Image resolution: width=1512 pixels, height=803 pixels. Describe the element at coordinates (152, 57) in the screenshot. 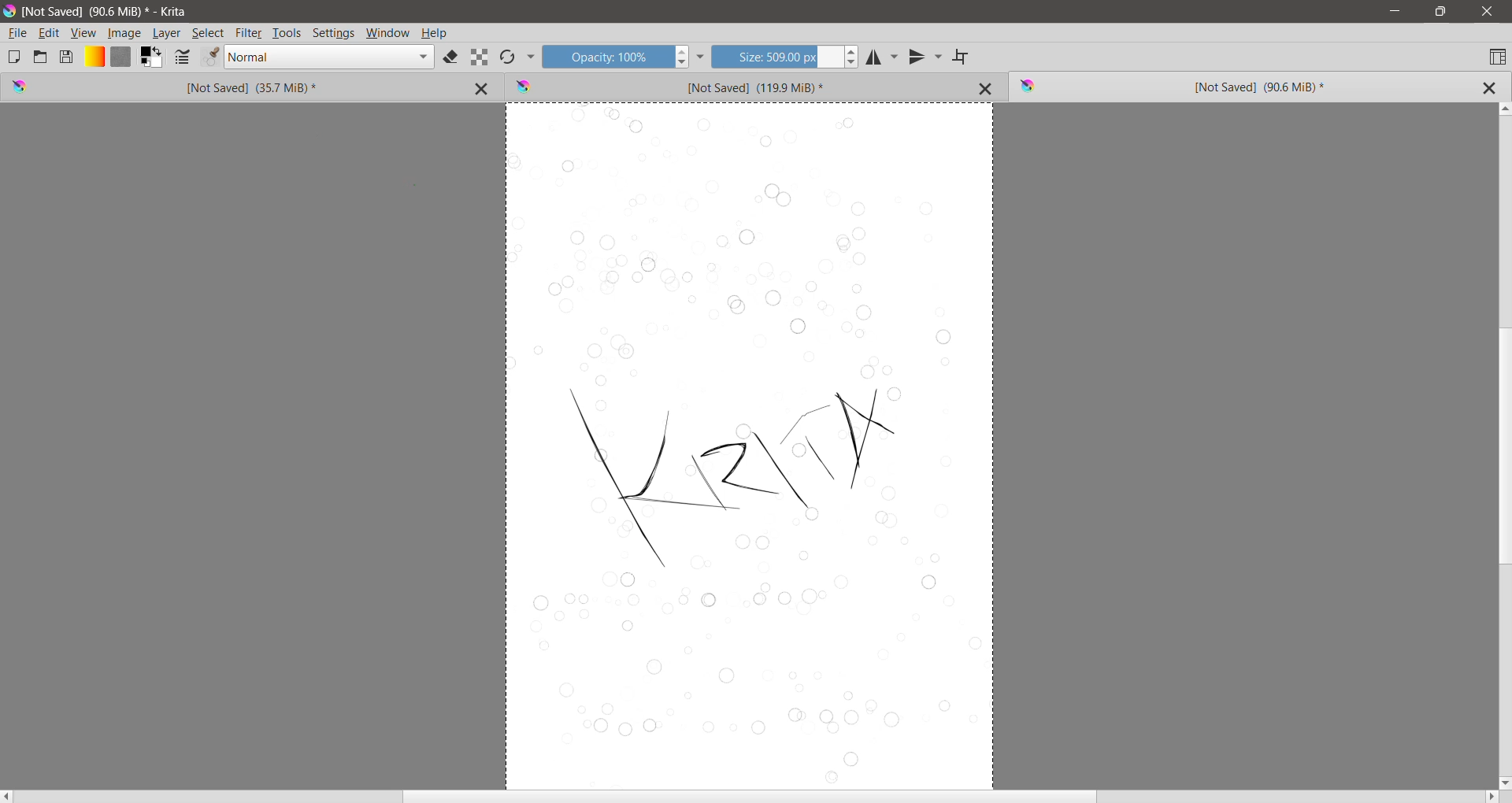

I see `Foreground and Background Color Selector` at that location.